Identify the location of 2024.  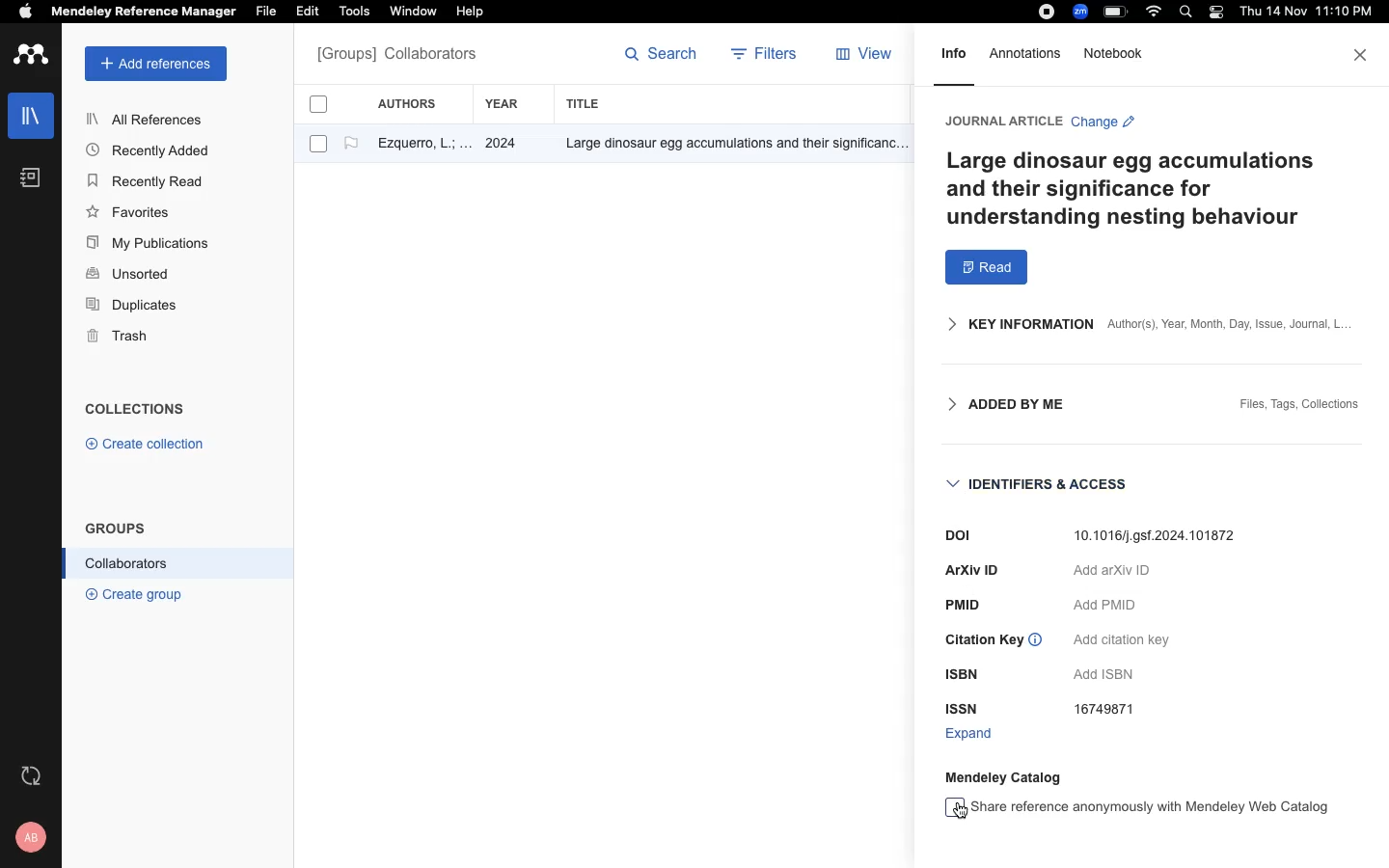
(504, 145).